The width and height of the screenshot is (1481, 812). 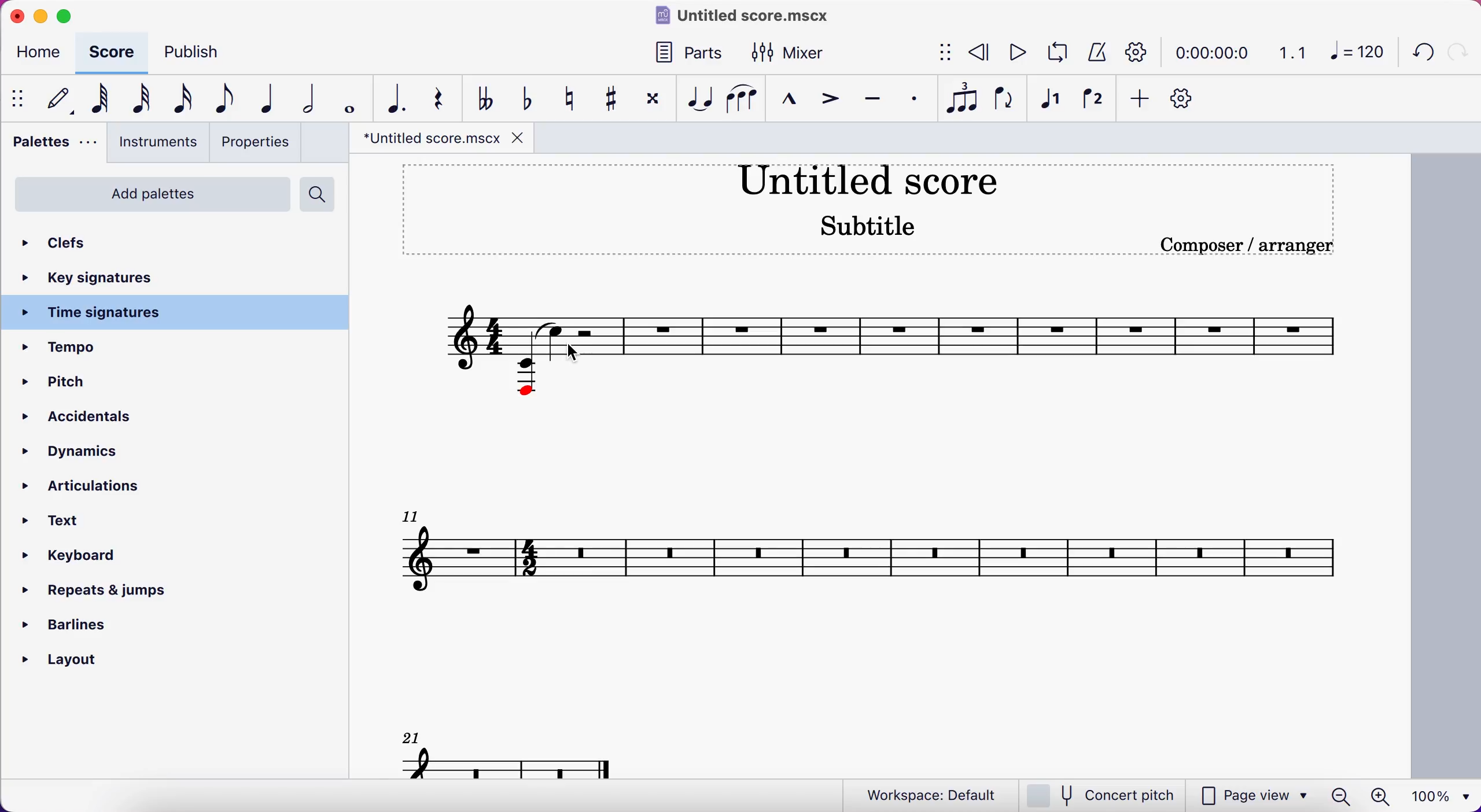 What do you see at coordinates (1355, 56) in the screenshot?
I see `120` at bounding box center [1355, 56].